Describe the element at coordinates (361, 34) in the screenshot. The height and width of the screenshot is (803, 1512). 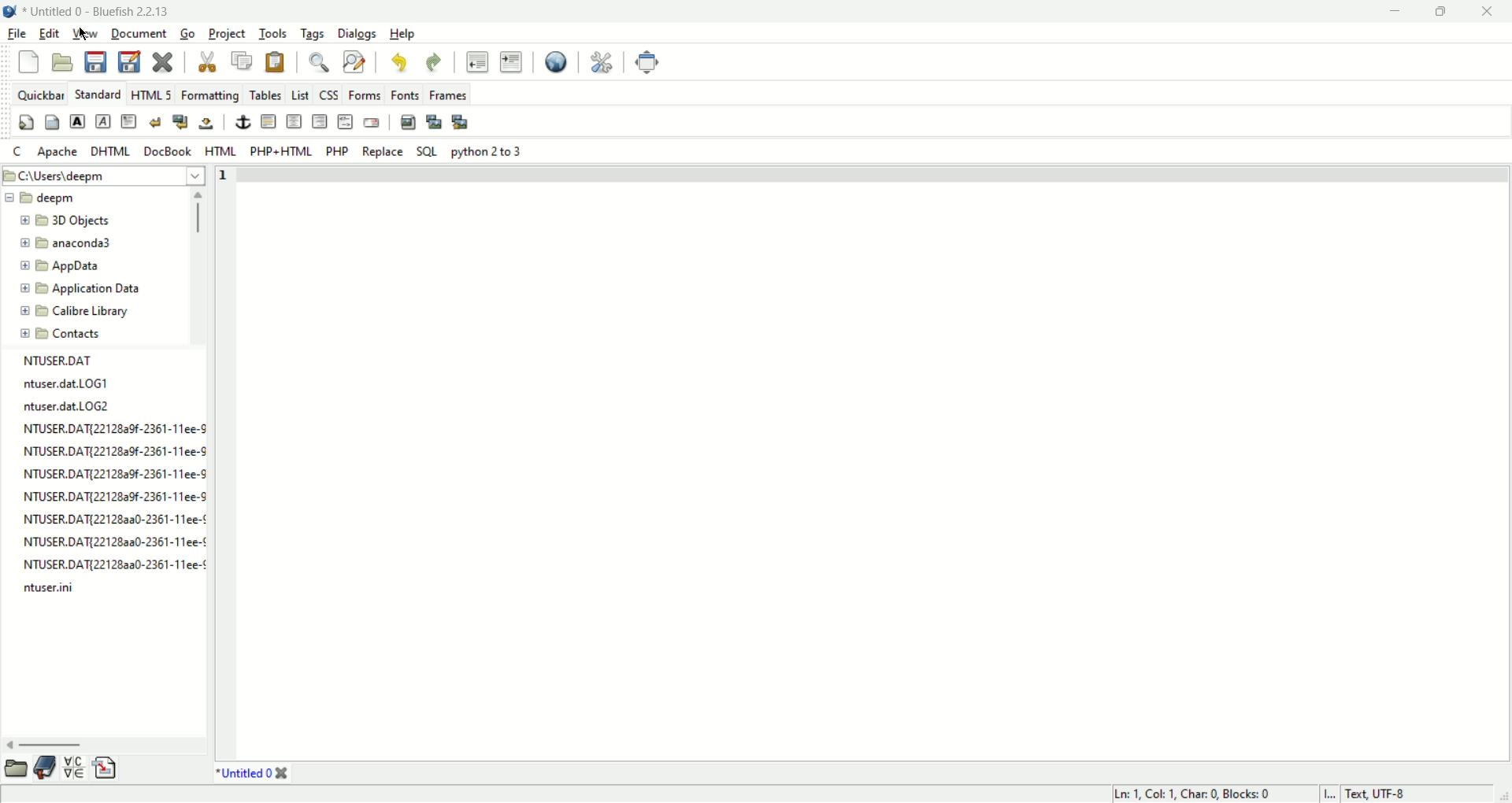
I see `dialogs` at that location.